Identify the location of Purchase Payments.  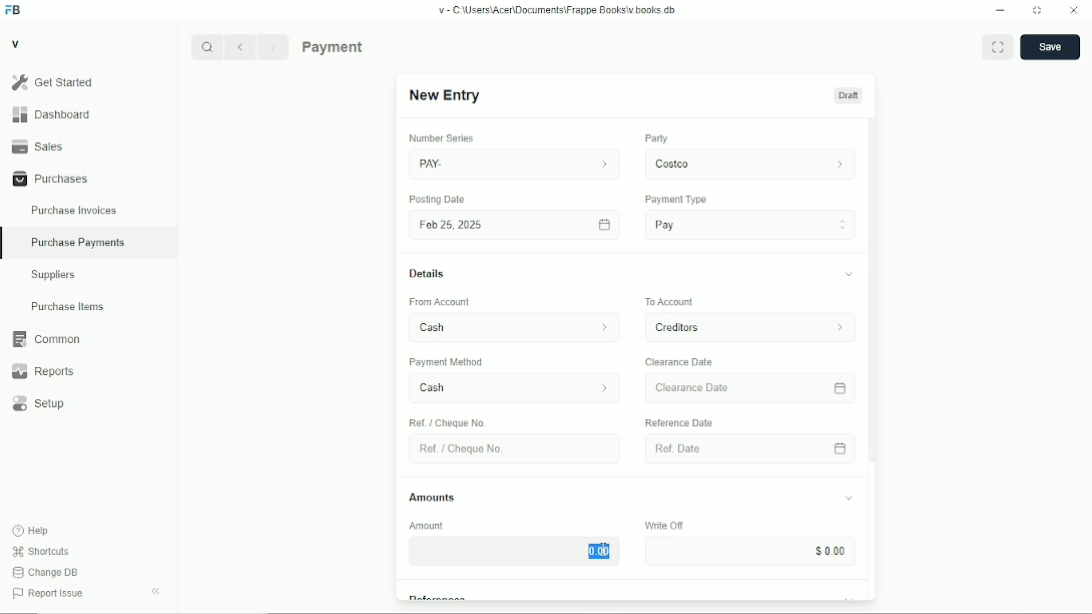
(89, 244).